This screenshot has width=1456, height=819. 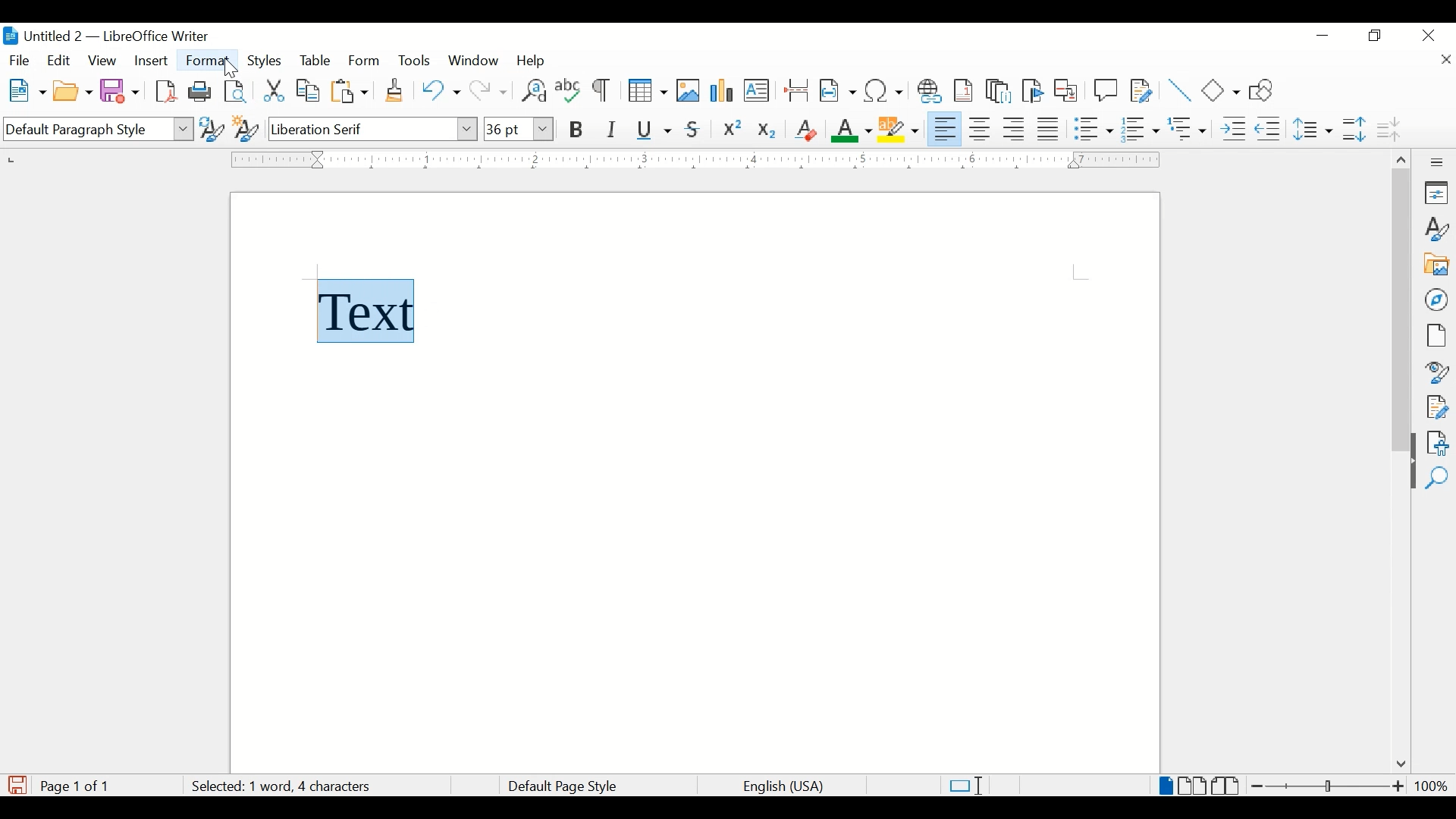 I want to click on scroll up arrow, so click(x=1399, y=157).